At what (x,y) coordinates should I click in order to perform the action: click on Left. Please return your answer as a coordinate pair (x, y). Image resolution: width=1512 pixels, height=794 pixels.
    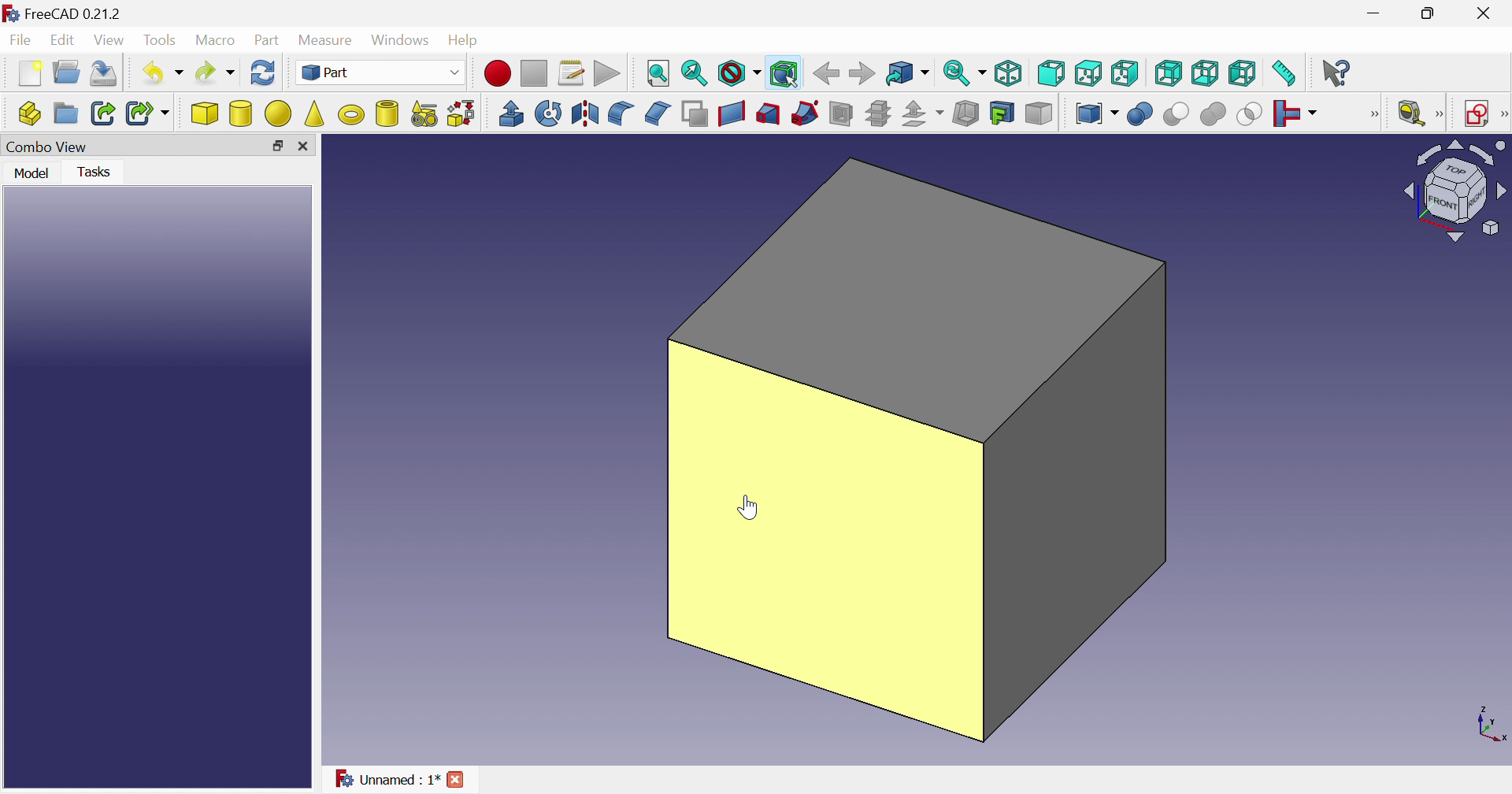
    Looking at the image, I should click on (1243, 74).